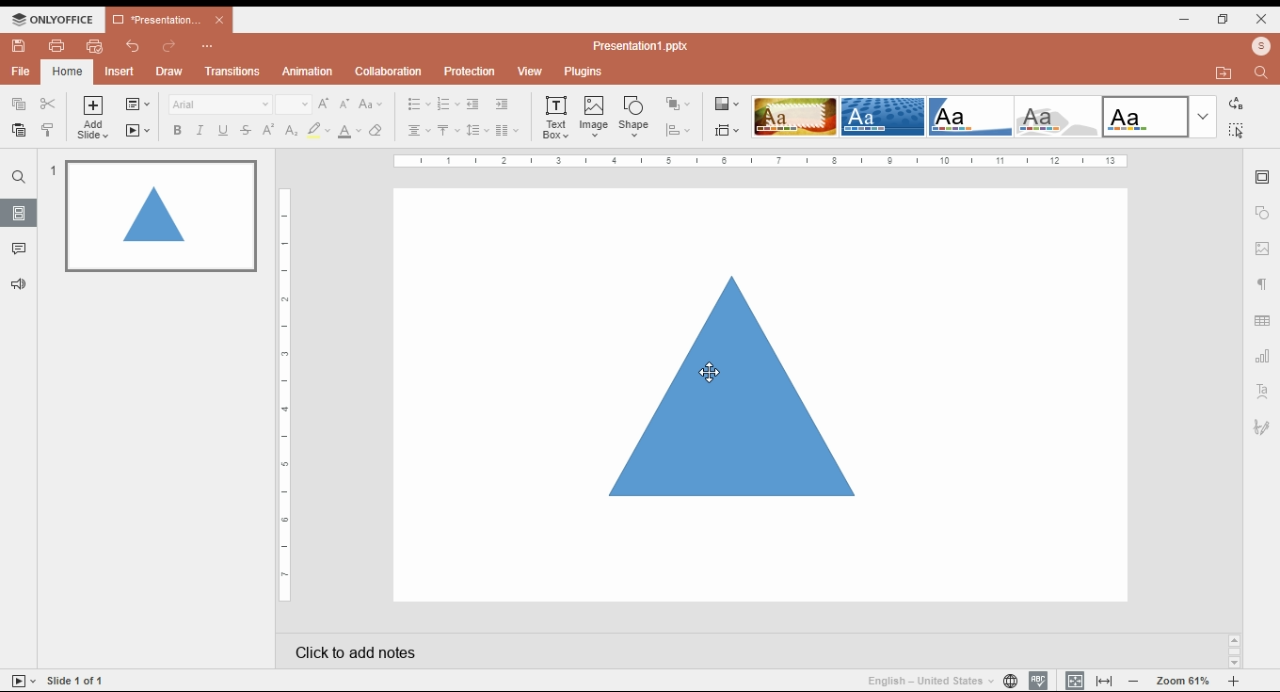 The height and width of the screenshot is (692, 1280). What do you see at coordinates (1262, 212) in the screenshot?
I see `shape setting` at bounding box center [1262, 212].